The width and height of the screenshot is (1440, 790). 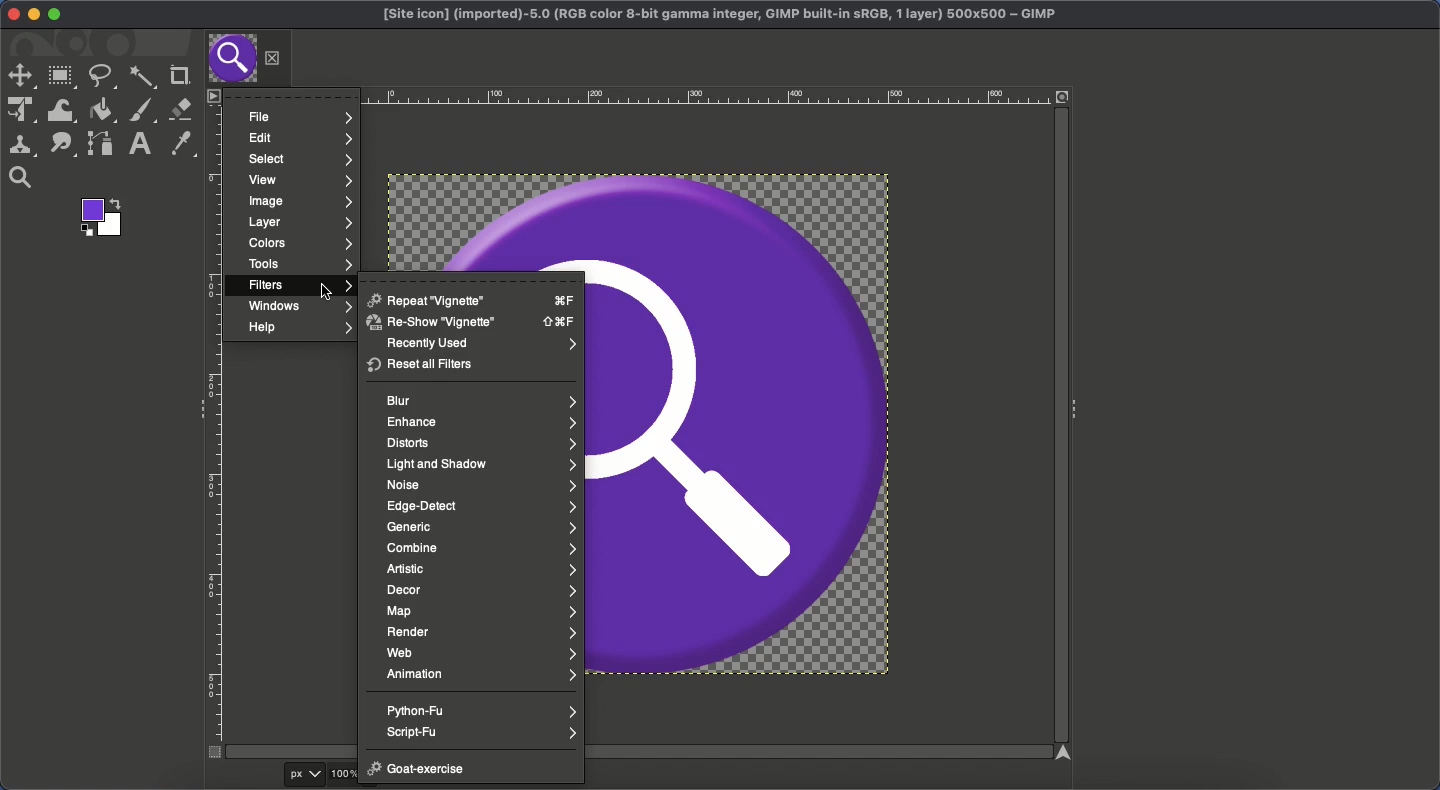 I want to click on Goat exercise, so click(x=417, y=771).